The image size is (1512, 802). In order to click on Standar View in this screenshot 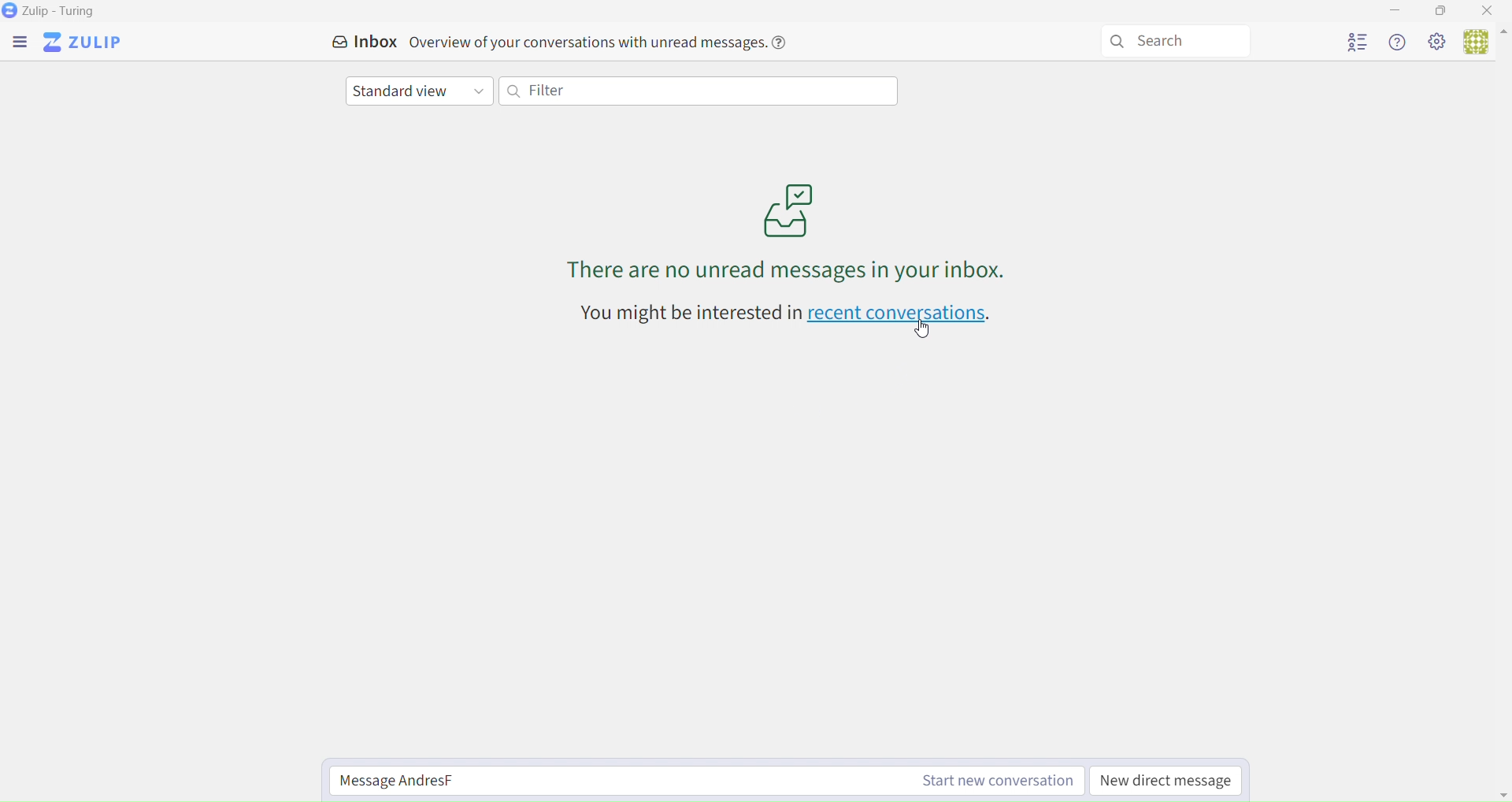, I will do `click(419, 91)`.